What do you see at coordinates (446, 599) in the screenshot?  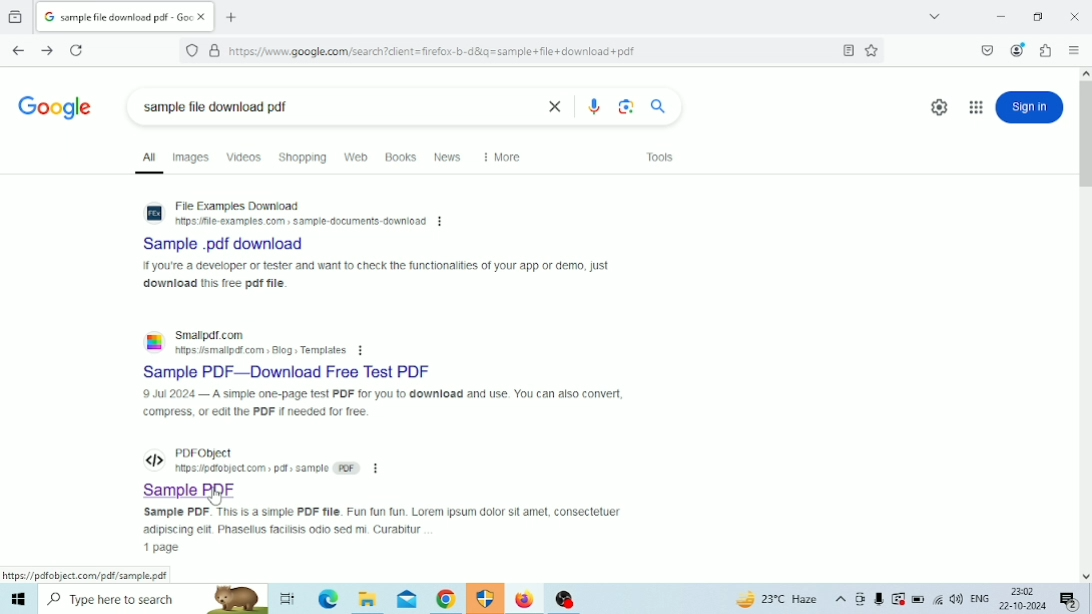 I see `Google Chrome` at bounding box center [446, 599].